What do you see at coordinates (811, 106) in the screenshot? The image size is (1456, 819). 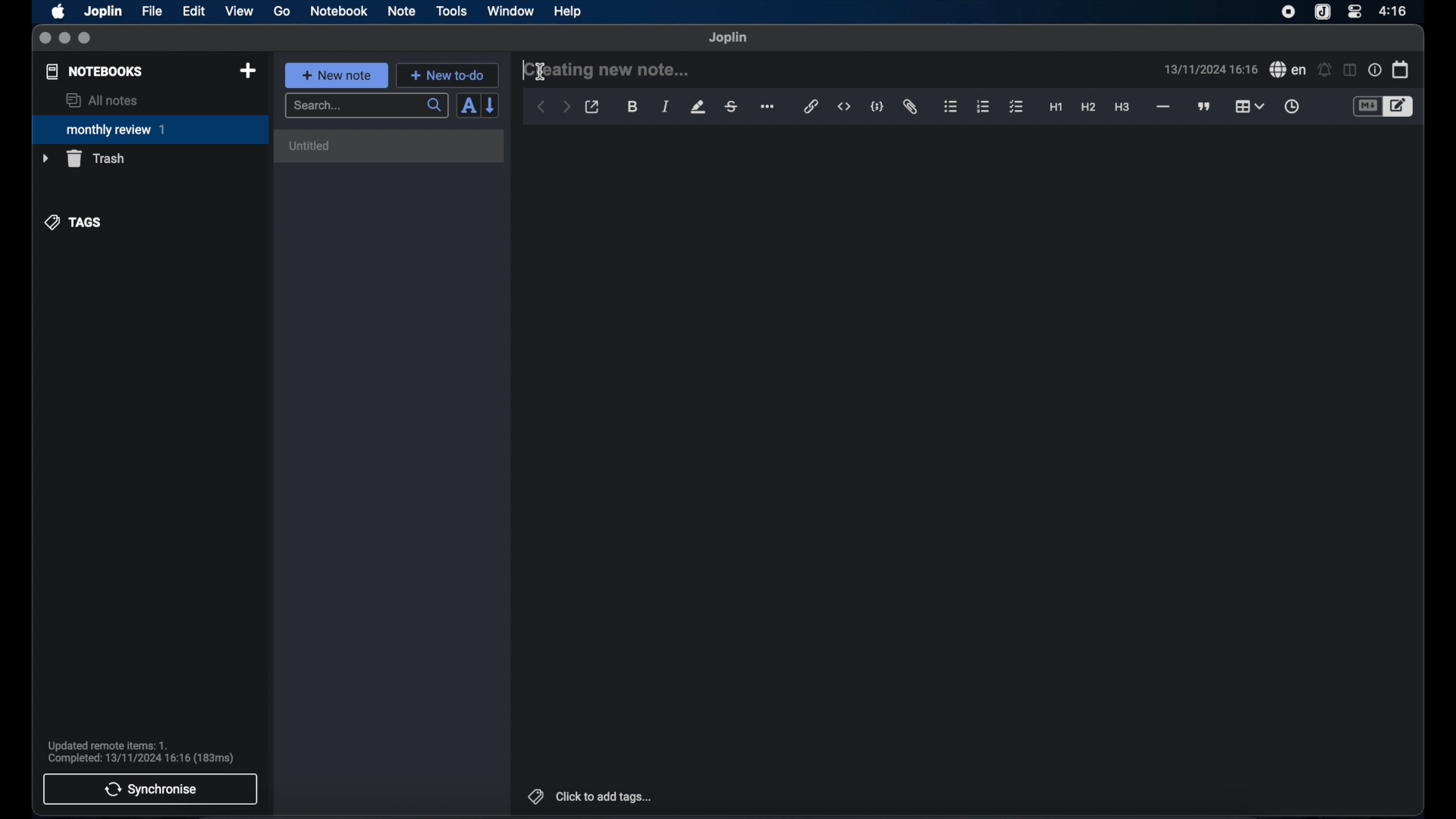 I see `hyperlink` at bounding box center [811, 106].